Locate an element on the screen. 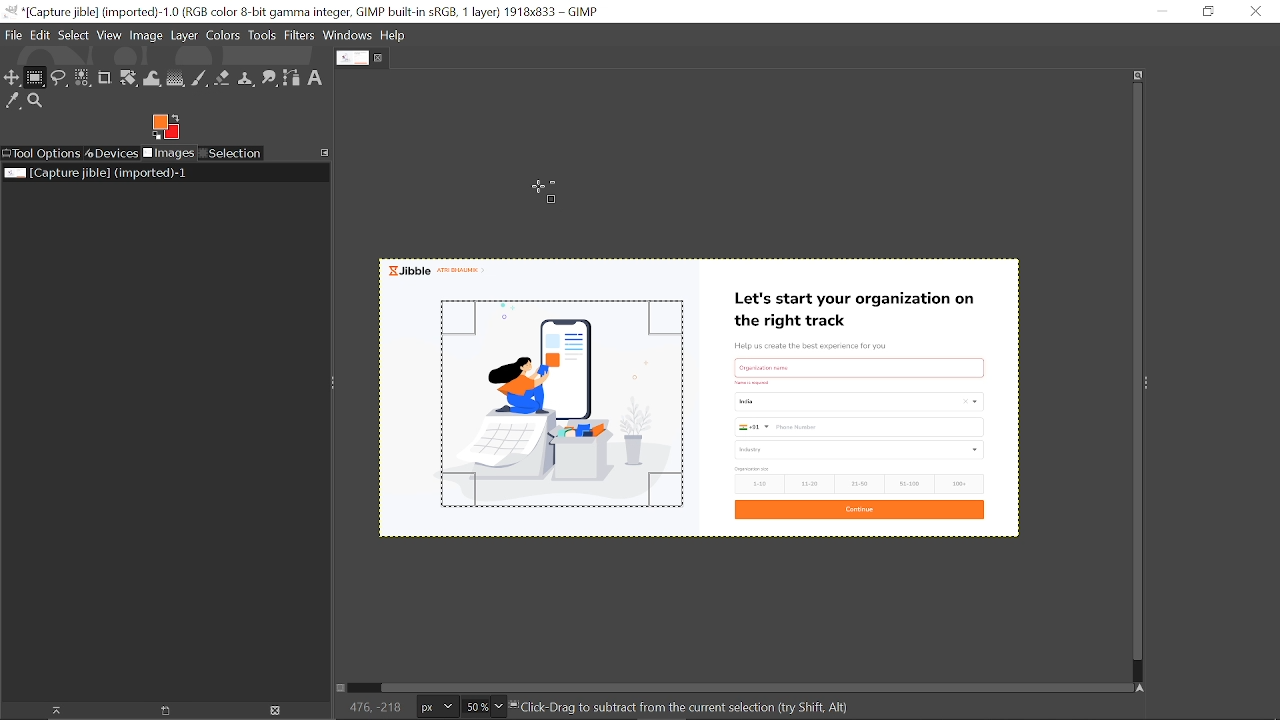 The image size is (1280, 720). Click-Drag to create current selection (try(Shift,Ctrl,Alt) is located at coordinates (695, 709).